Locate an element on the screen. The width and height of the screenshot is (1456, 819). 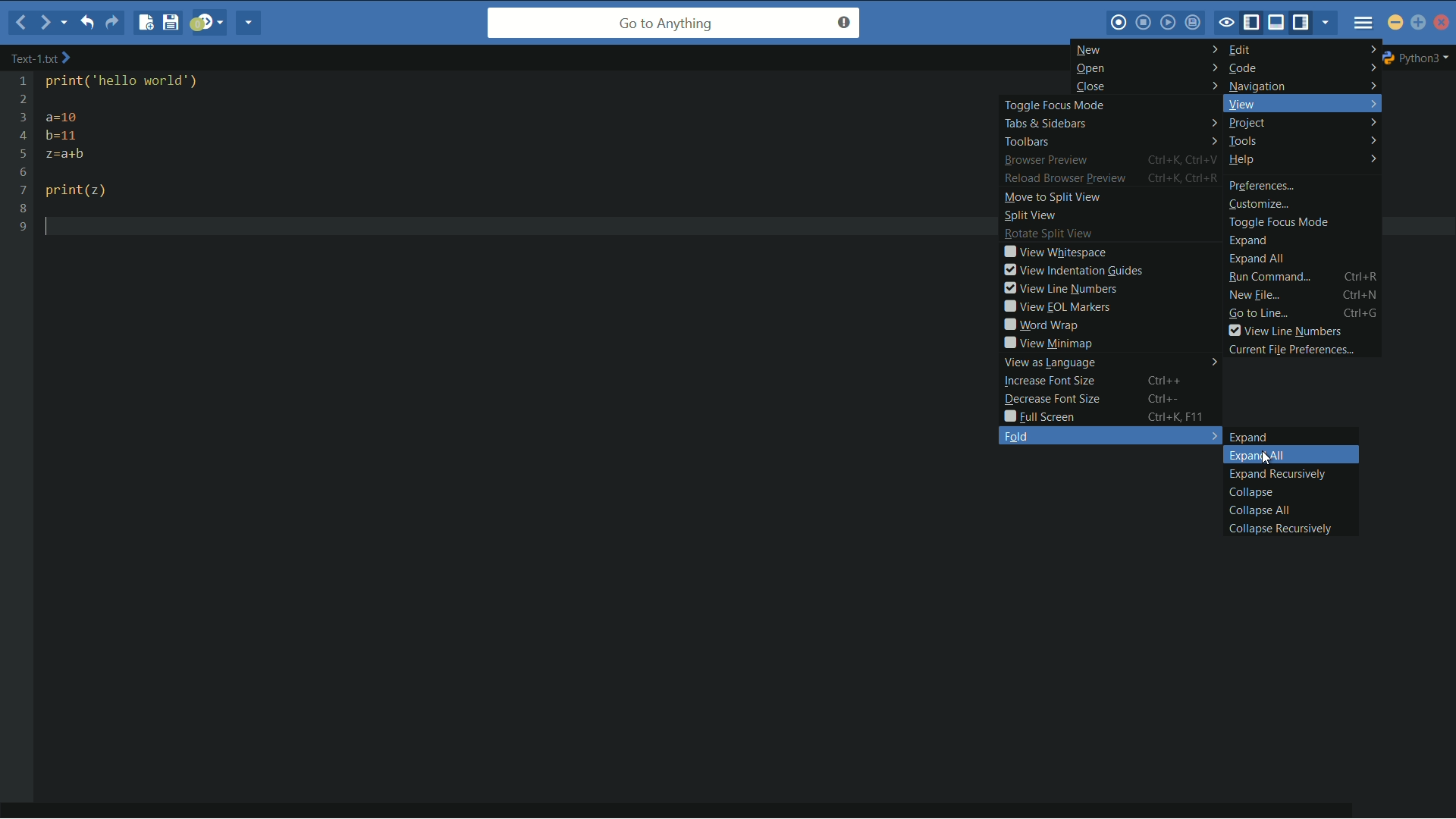
save file is located at coordinates (171, 23).